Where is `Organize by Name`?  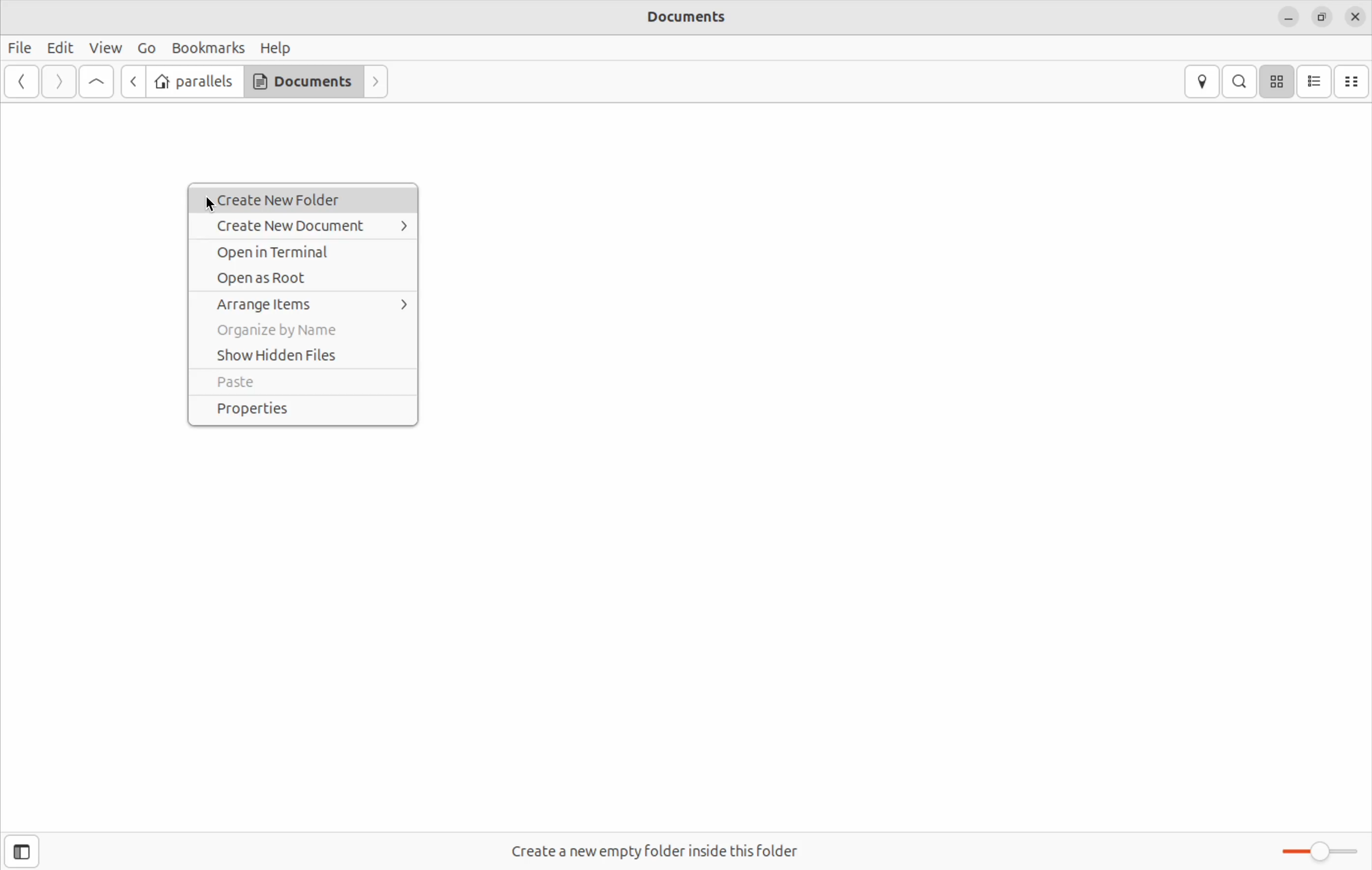
Organize by Name is located at coordinates (301, 331).